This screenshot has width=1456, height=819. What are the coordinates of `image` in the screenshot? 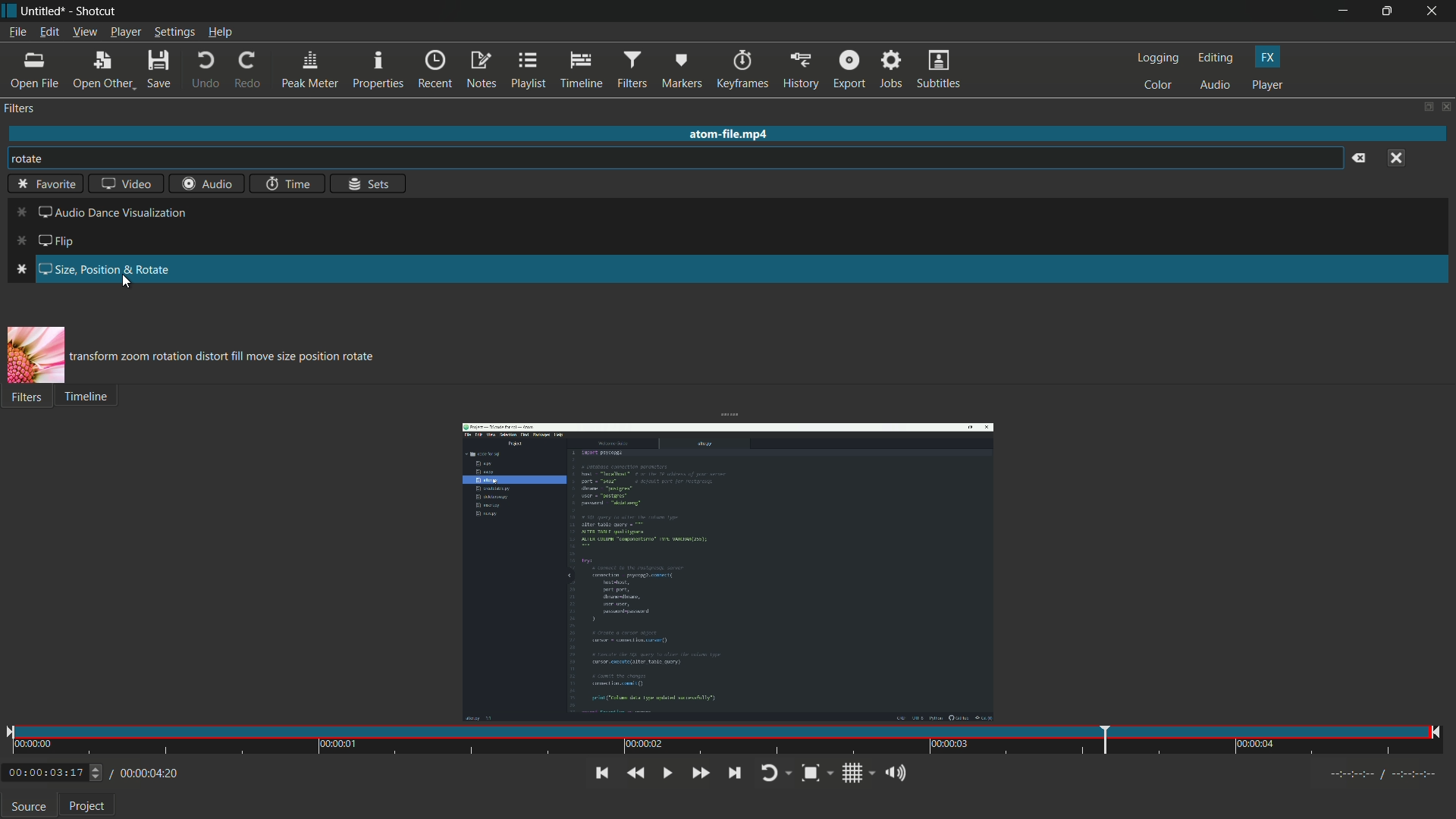 It's located at (36, 356).